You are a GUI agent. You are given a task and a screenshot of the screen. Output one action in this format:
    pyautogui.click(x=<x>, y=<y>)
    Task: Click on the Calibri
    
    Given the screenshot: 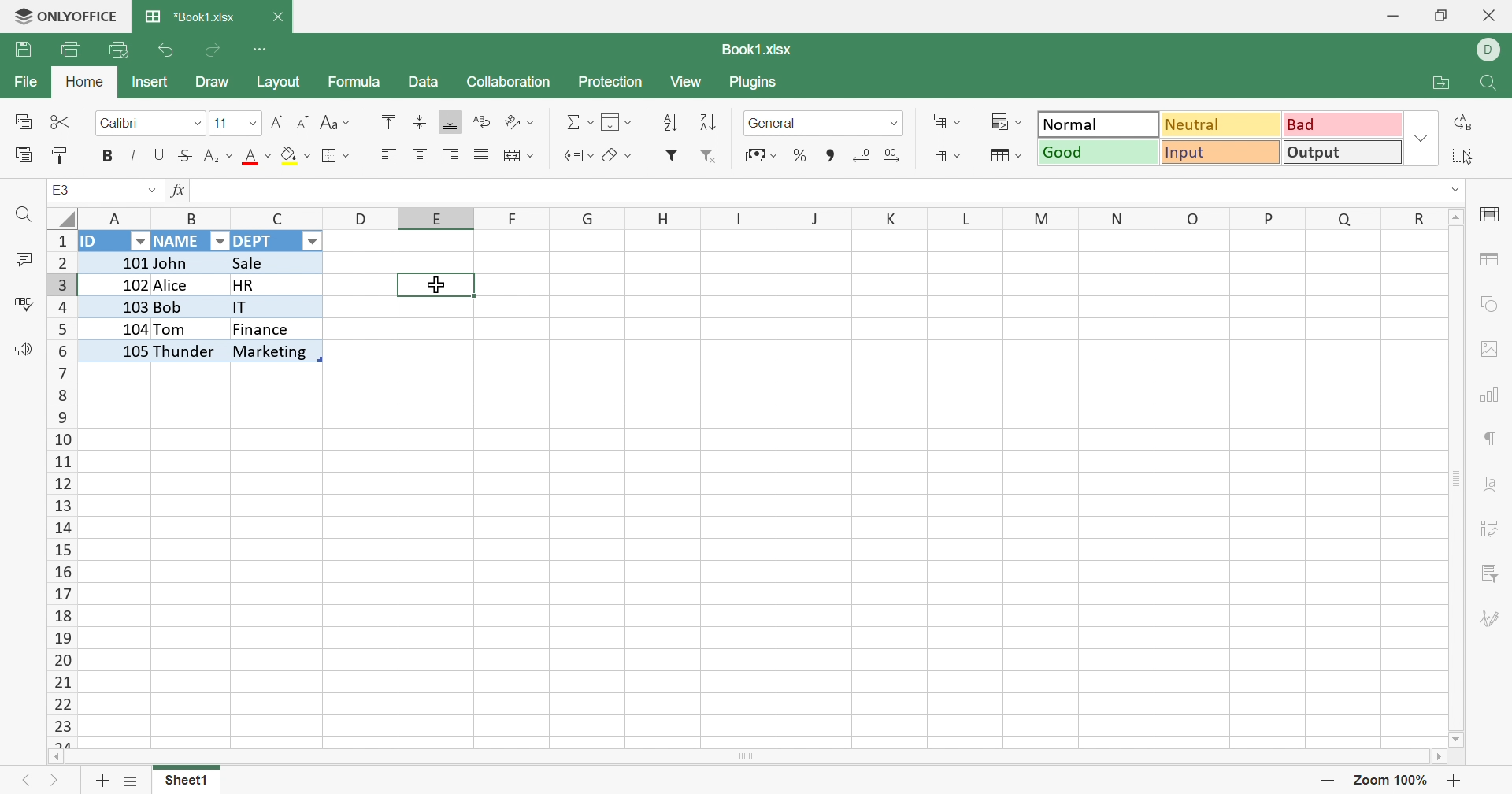 What is the action you would take?
    pyautogui.click(x=124, y=123)
    